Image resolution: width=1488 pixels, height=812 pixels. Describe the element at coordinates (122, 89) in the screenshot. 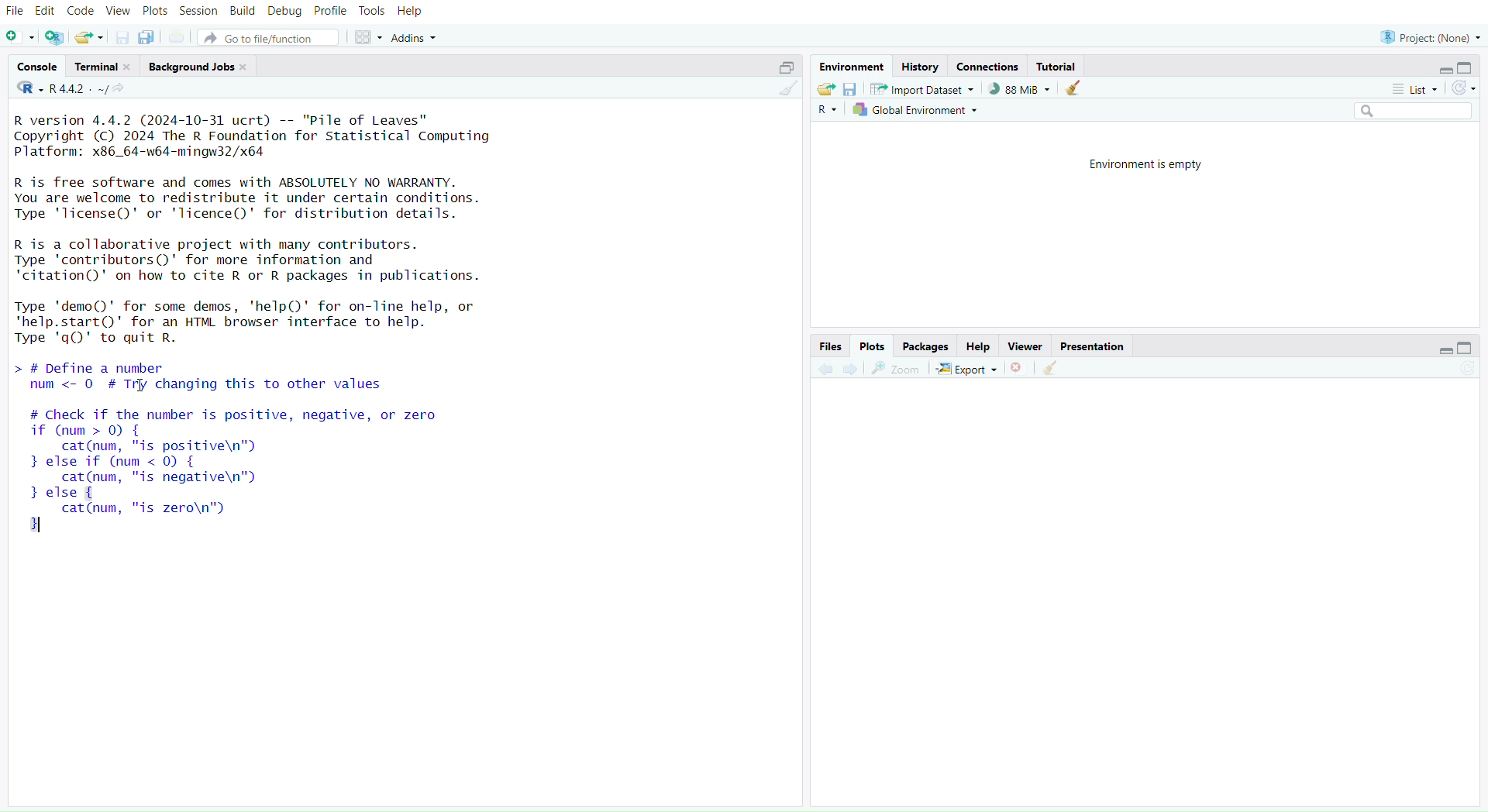

I see `view current working directory` at that location.